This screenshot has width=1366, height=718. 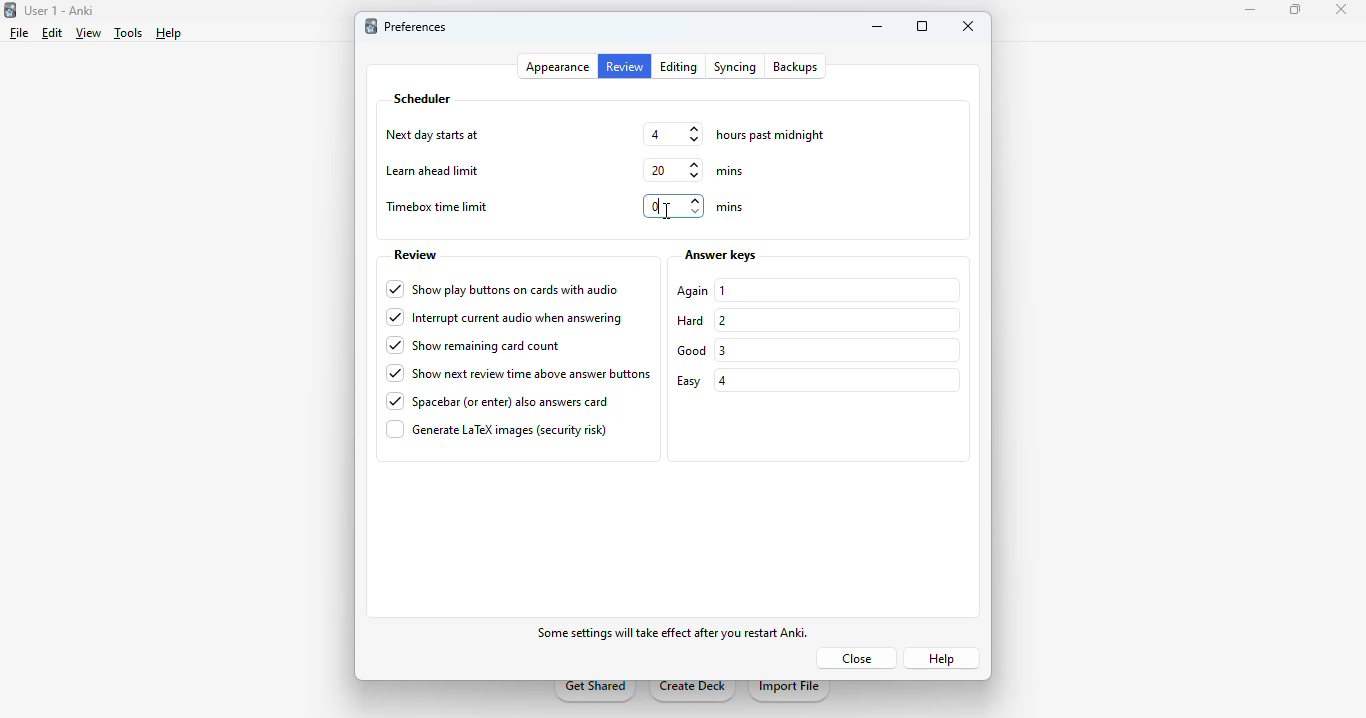 What do you see at coordinates (417, 26) in the screenshot?
I see `preferences` at bounding box center [417, 26].